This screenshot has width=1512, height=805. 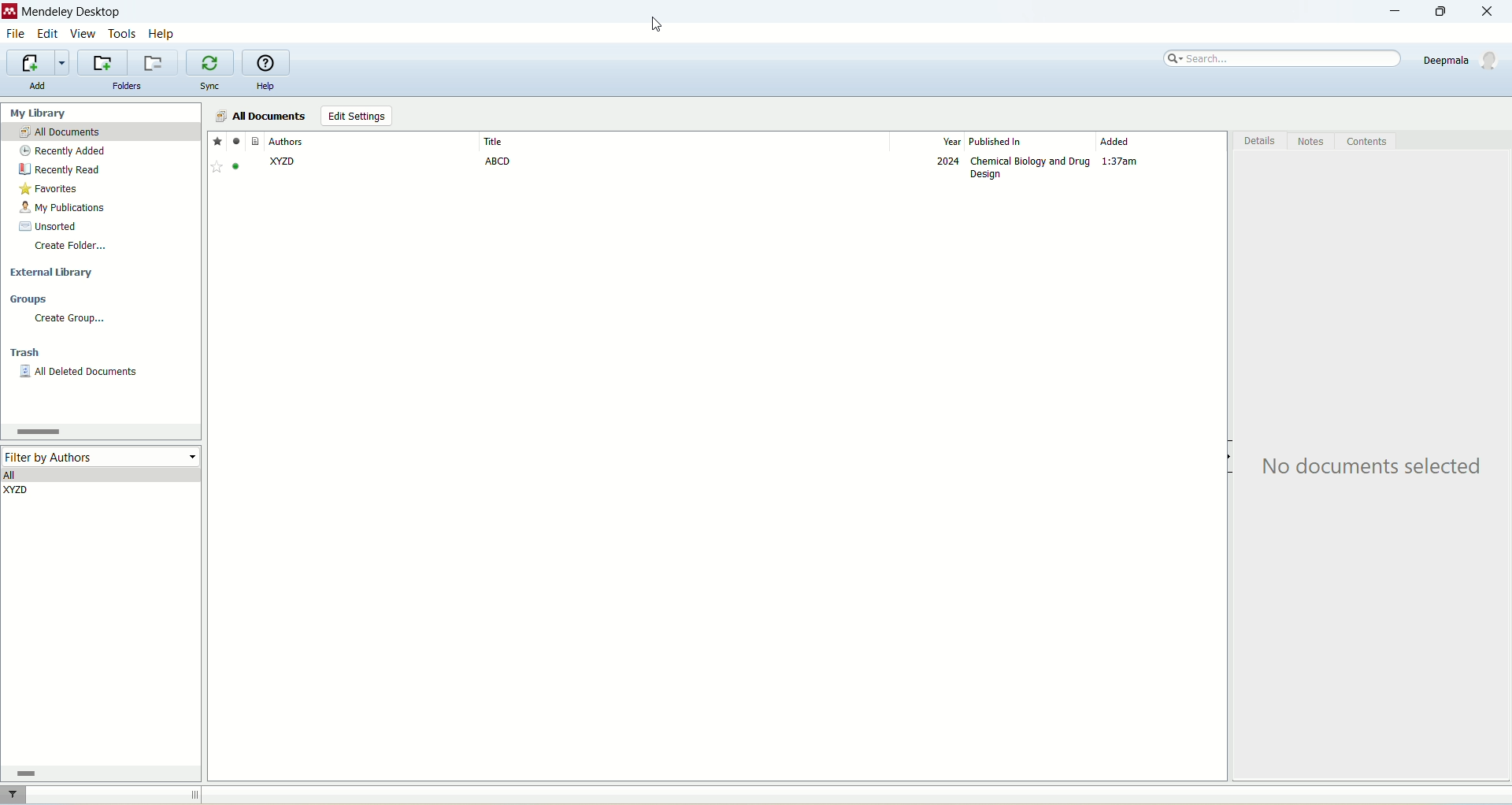 I want to click on file, so click(x=15, y=35).